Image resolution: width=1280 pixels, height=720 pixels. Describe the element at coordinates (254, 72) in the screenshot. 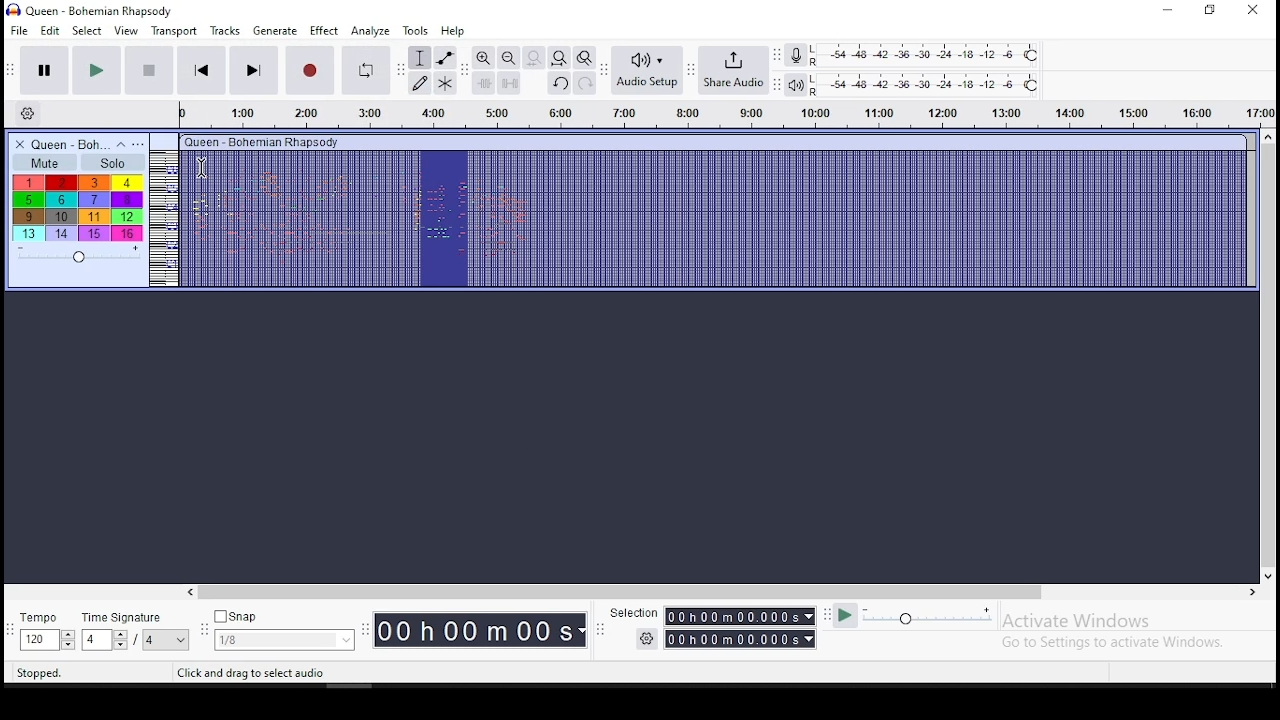

I see `skip to end` at that location.